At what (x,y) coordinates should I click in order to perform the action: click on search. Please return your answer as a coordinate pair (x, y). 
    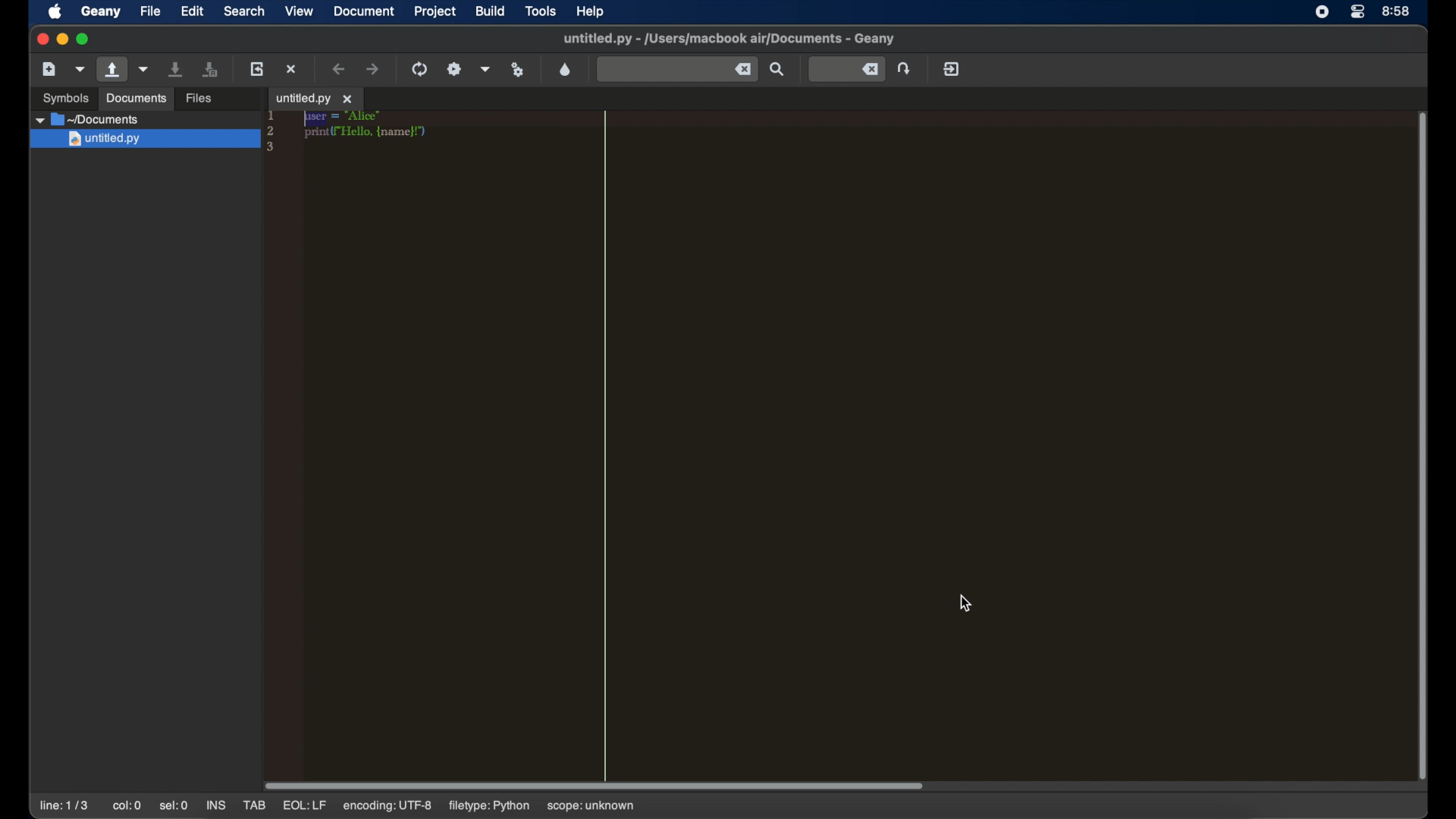
    Looking at the image, I should click on (244, 11).